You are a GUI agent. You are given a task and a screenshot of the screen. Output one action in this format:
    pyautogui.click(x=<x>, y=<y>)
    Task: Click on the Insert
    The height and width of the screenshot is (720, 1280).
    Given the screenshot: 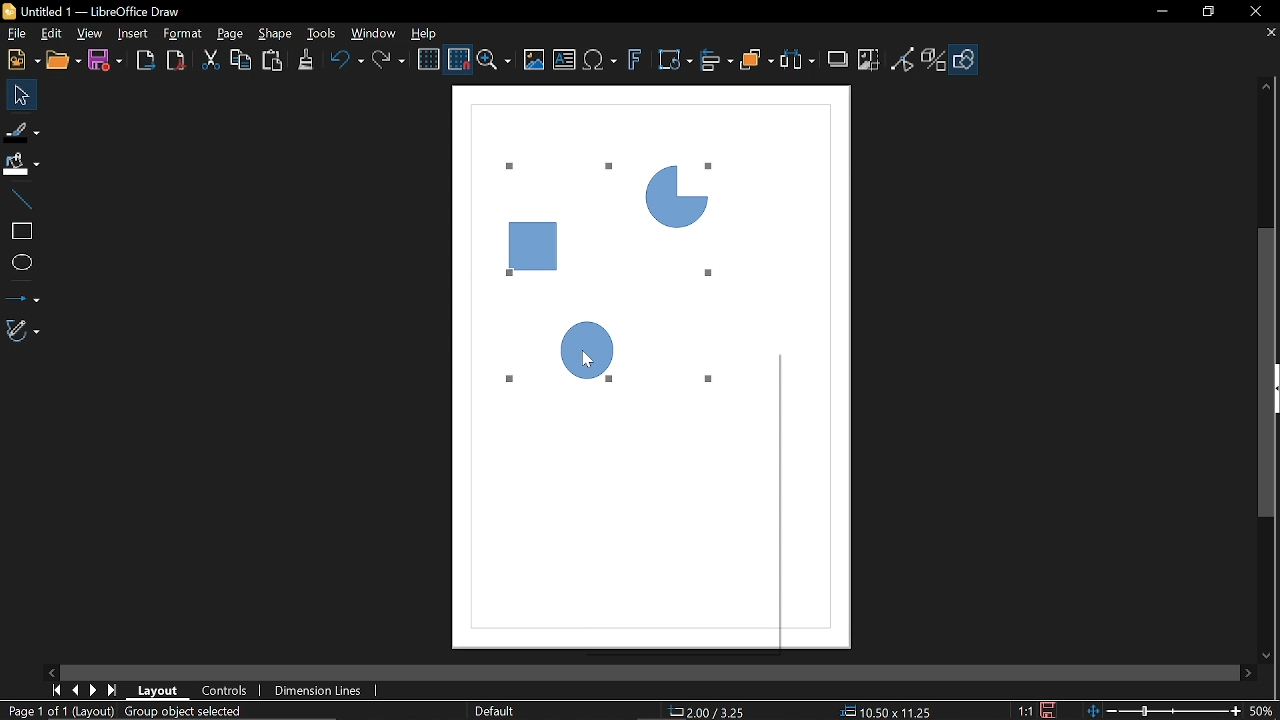 What is the action you would take?
    pyautogui.click(x=131, y=35)
    